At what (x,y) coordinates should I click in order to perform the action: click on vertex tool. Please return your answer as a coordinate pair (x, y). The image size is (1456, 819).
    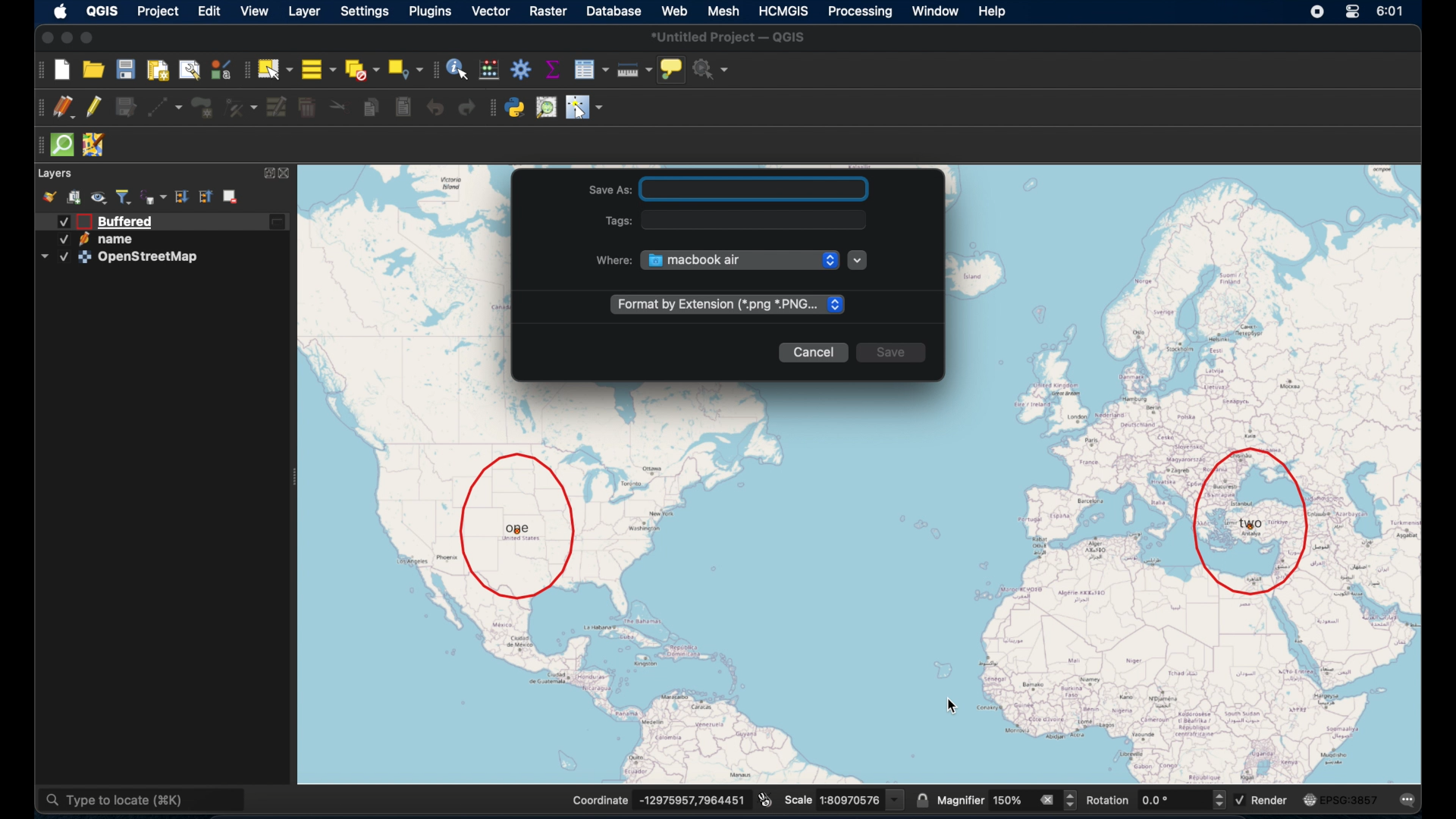
    Looking at the image, I should click on (240, 105).